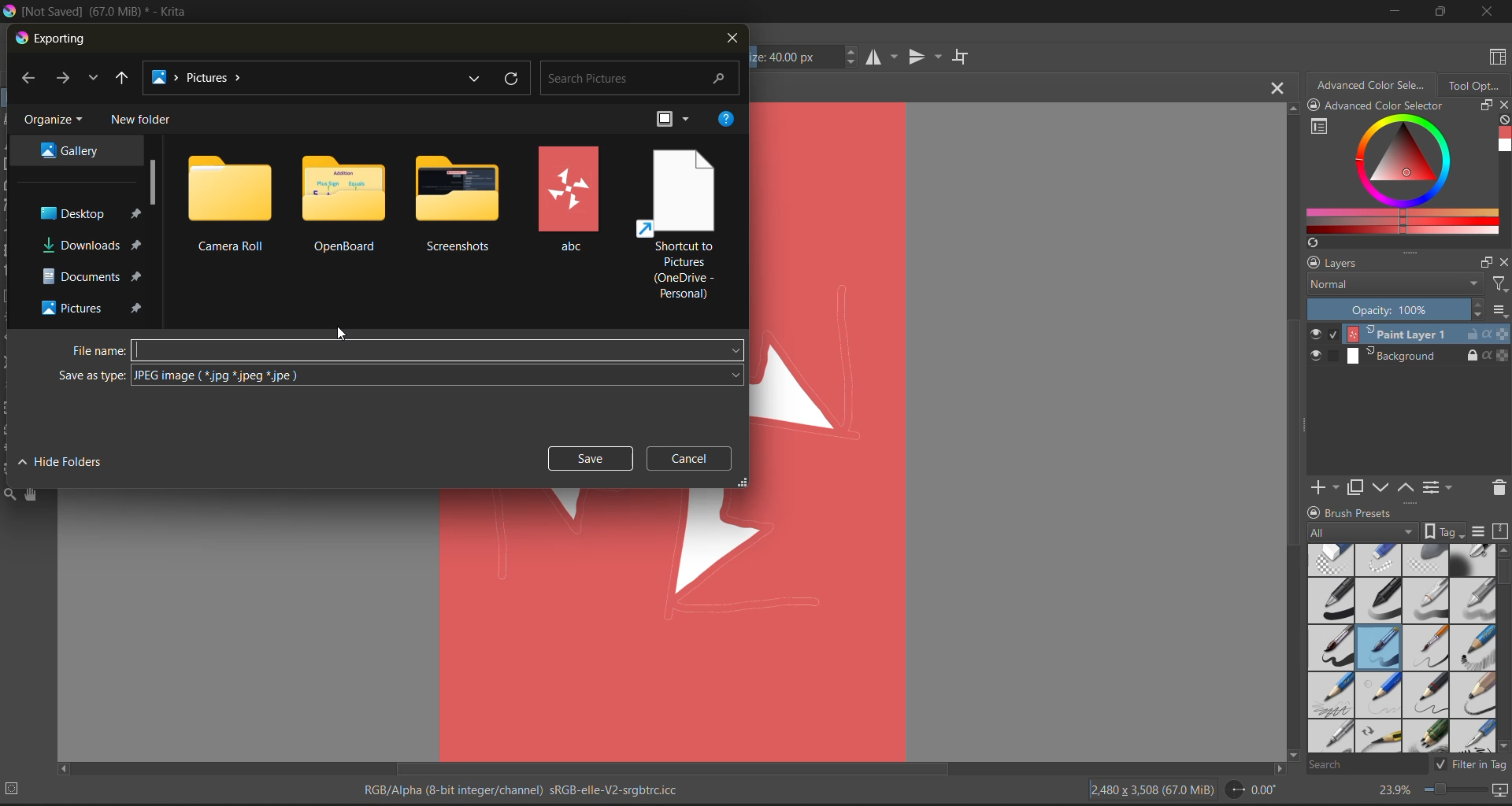 Image resolution: width=1512 pixels, height=806 pixels. What do you see at coordinates (458, 205) in the screenshot?
I see `folders and files` at bounding box center [458, 205].